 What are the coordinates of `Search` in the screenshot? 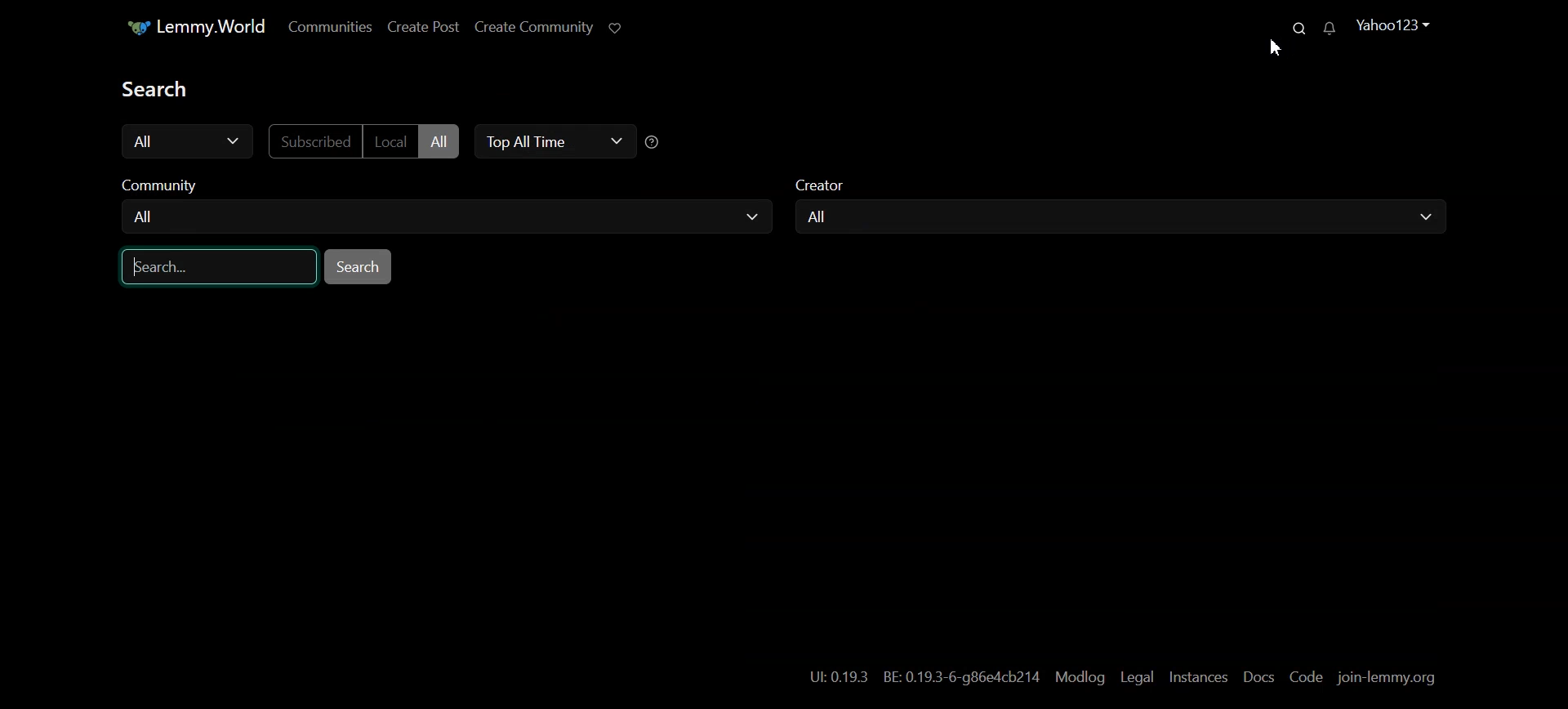 It's located at (1295, 27).